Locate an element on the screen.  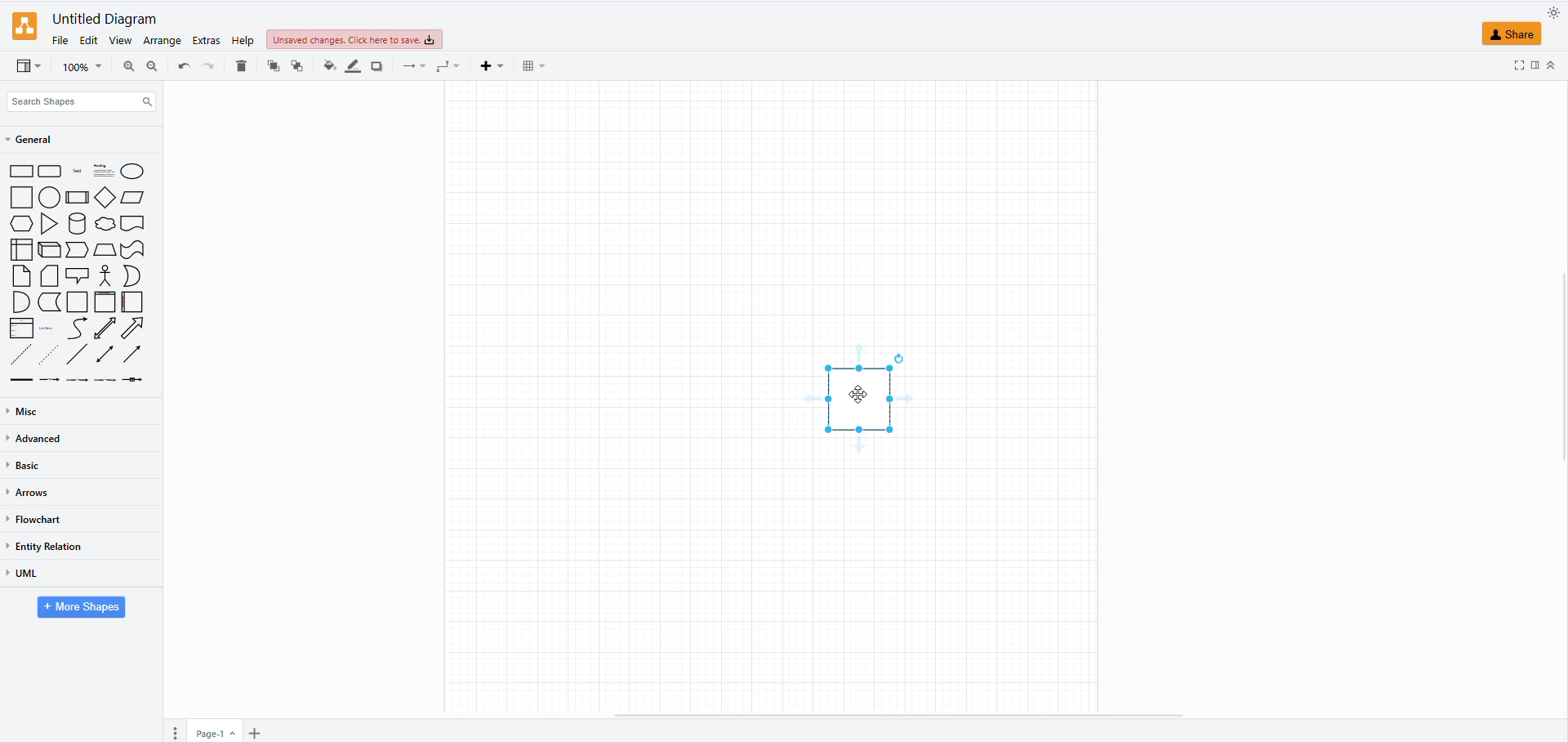
connector with label is located at coordinates (51, 382).